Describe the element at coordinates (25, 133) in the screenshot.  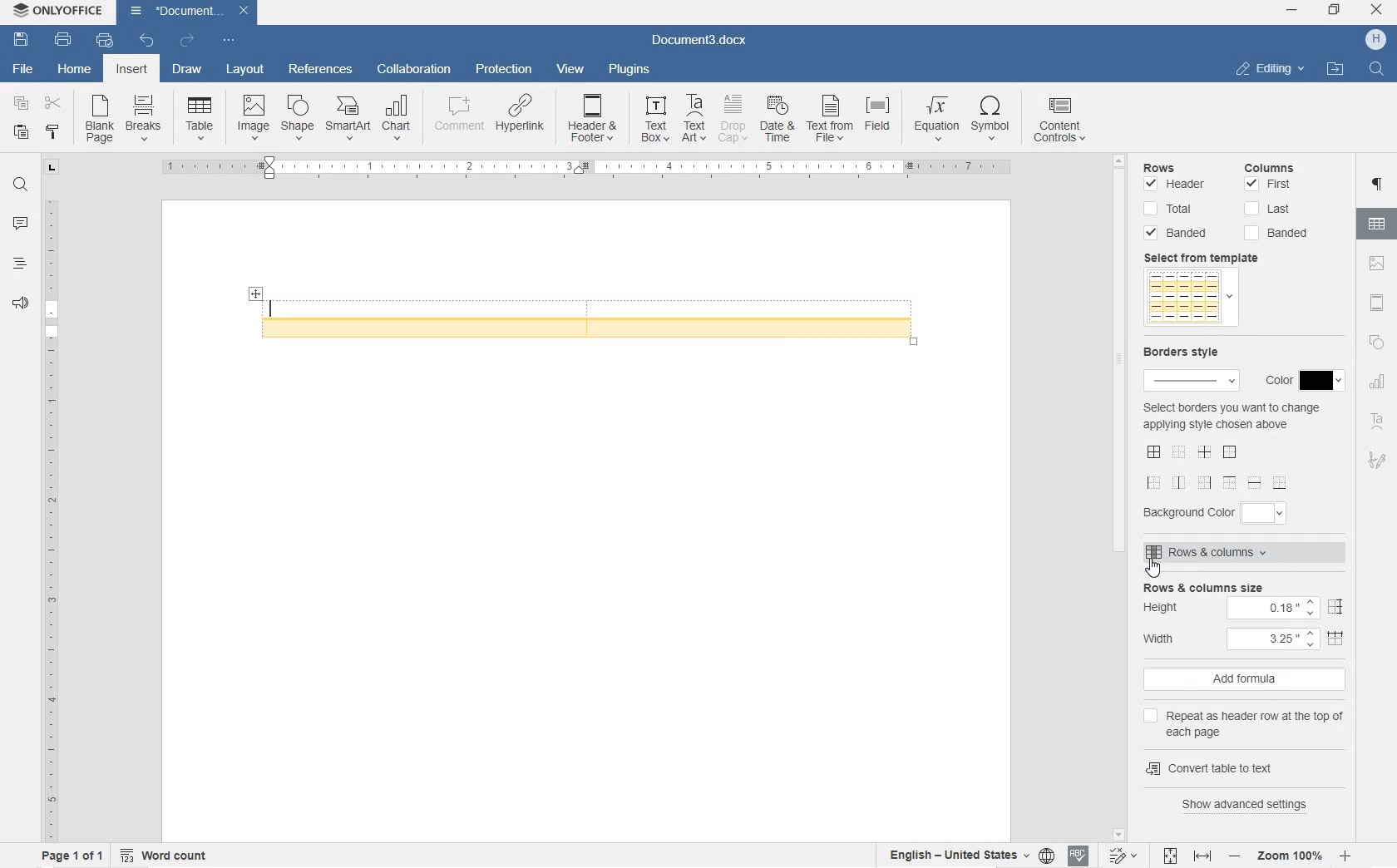
I see `PASTE` at that location.